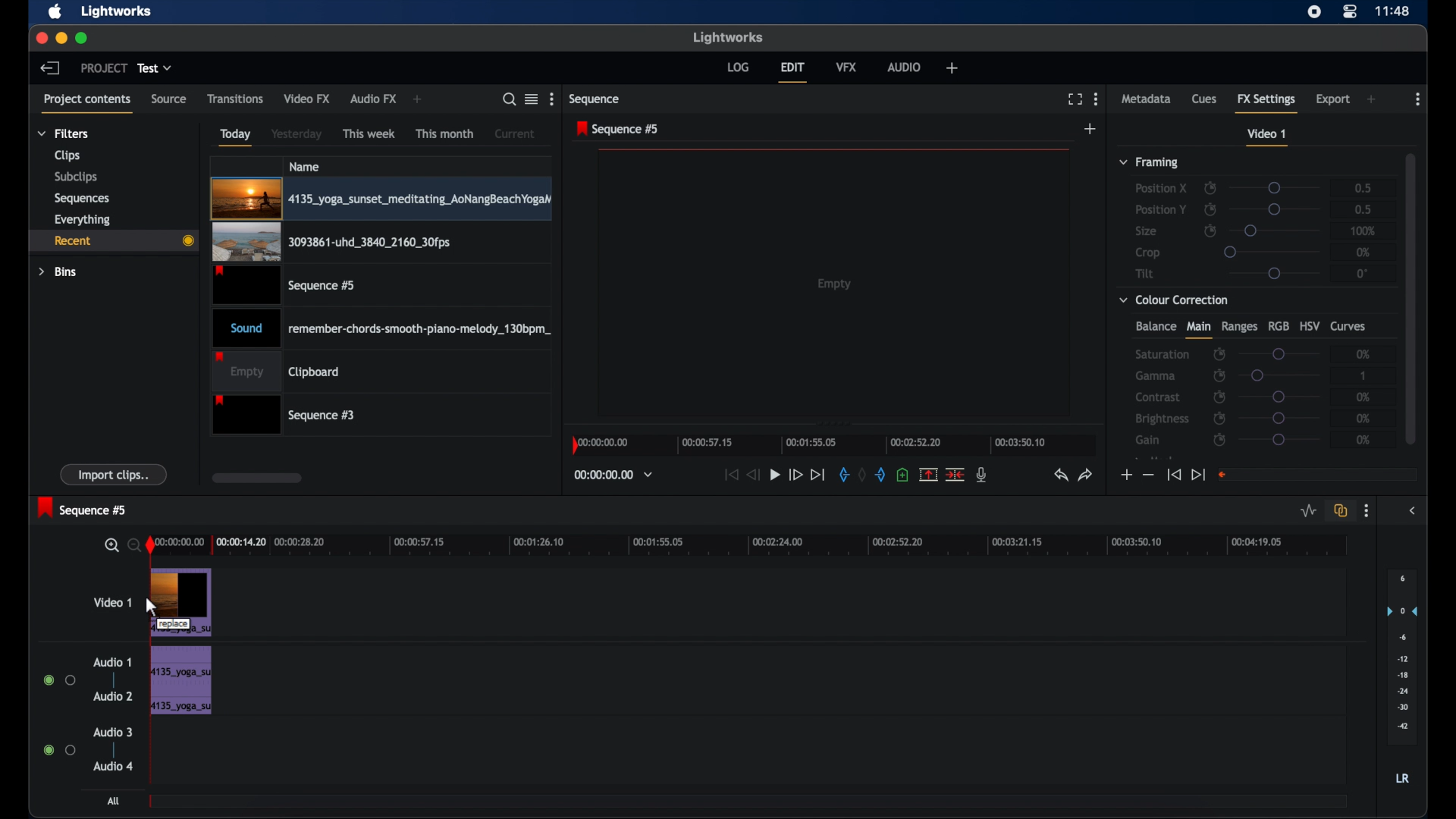 Image resolution: width=1456 pixels, height=819 pixels. Describe the element at coordinates (843, 474) in the screenshot. I see `in mark` at that location.